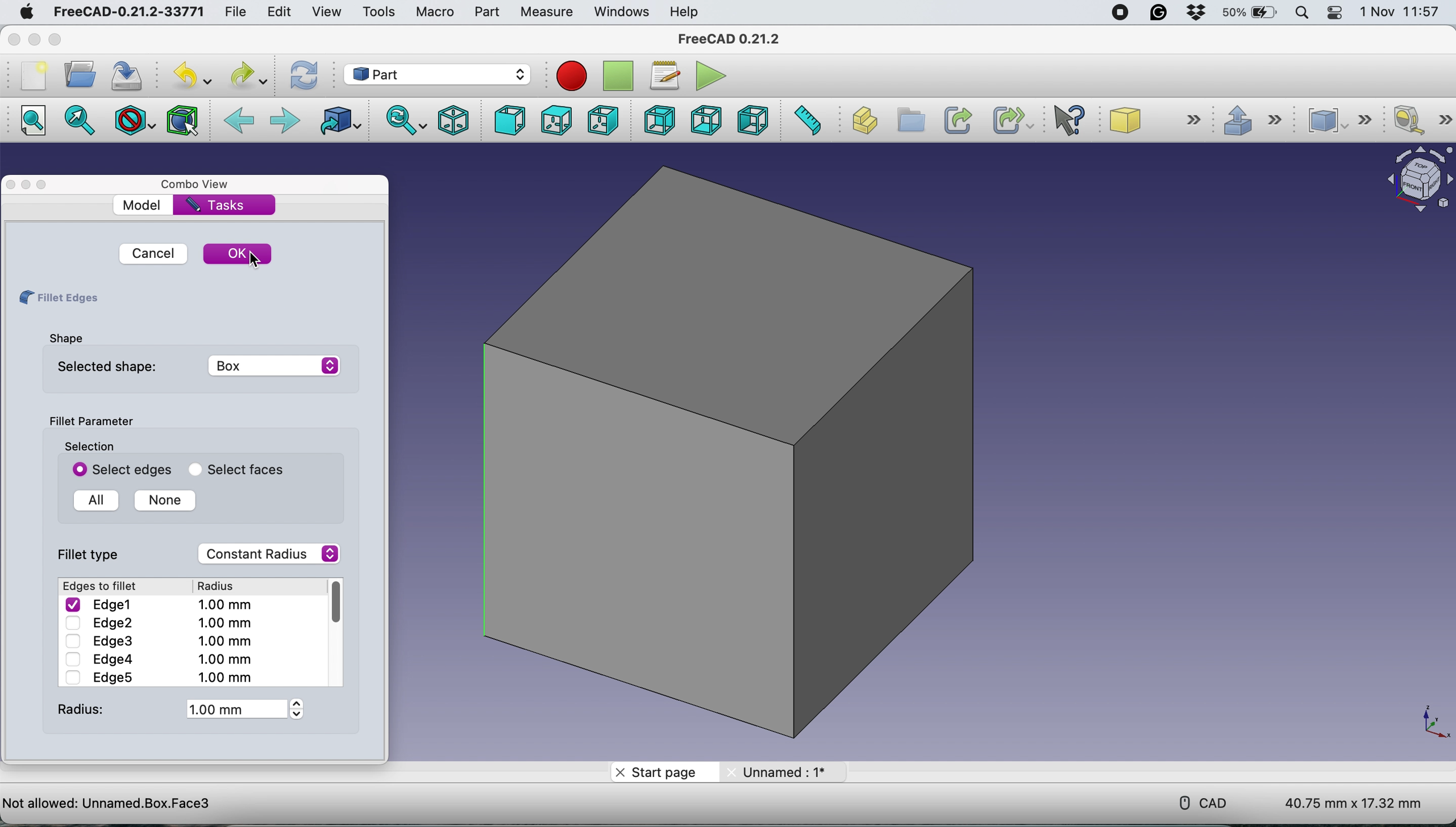 The width and height of the screenshot is (1456, 827). Describe the element at coordinates (183, 121) in the screenshot. I see `bounding object` at that location.